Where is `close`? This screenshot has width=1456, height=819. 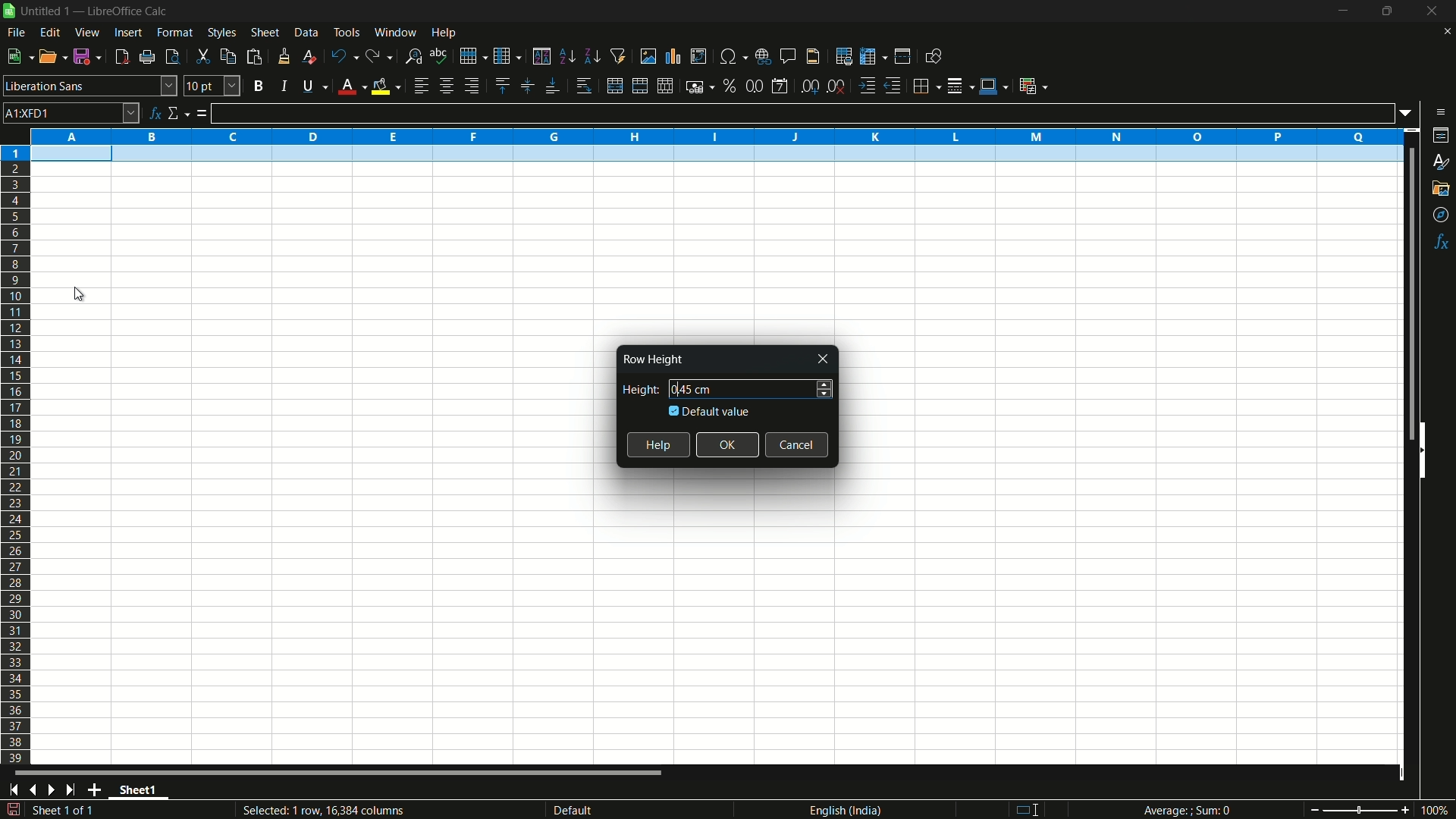
close is located at coordinates (824, 359).